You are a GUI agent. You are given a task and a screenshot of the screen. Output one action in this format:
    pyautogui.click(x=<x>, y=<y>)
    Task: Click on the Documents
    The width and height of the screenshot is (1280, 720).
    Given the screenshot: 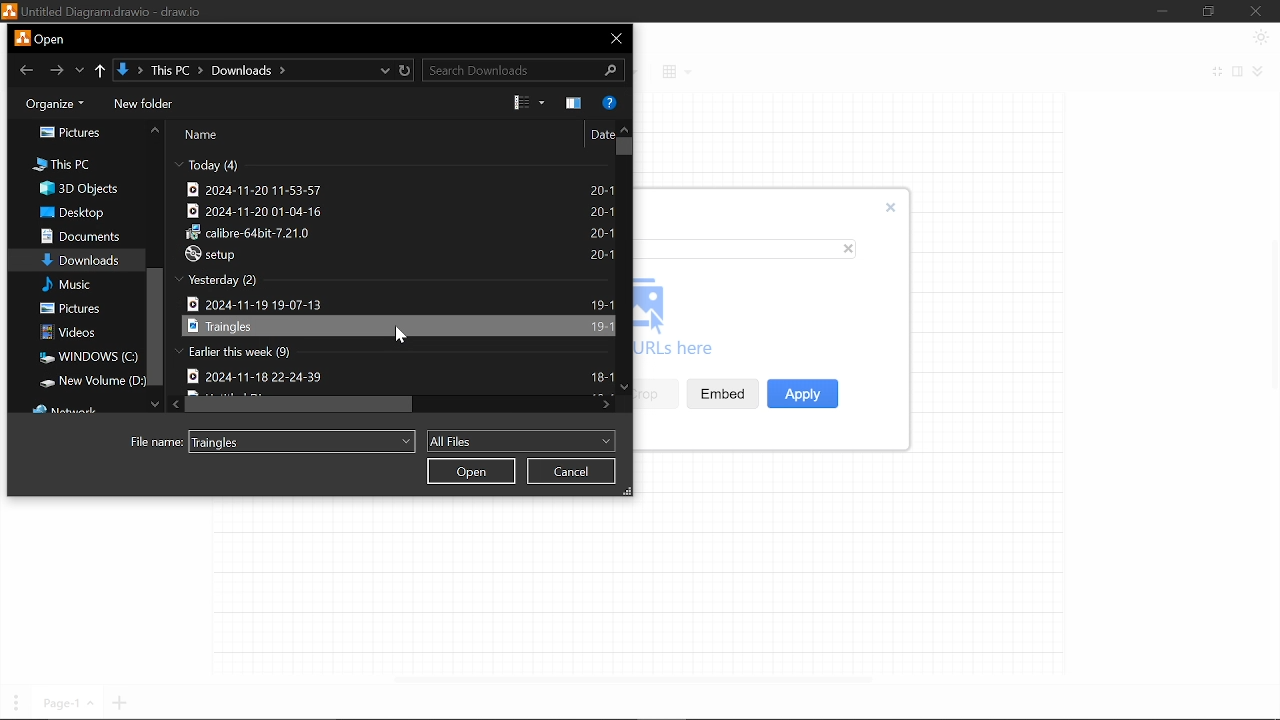 What is the action you would take?
    pyautogui.click(x=83, y=236)
    